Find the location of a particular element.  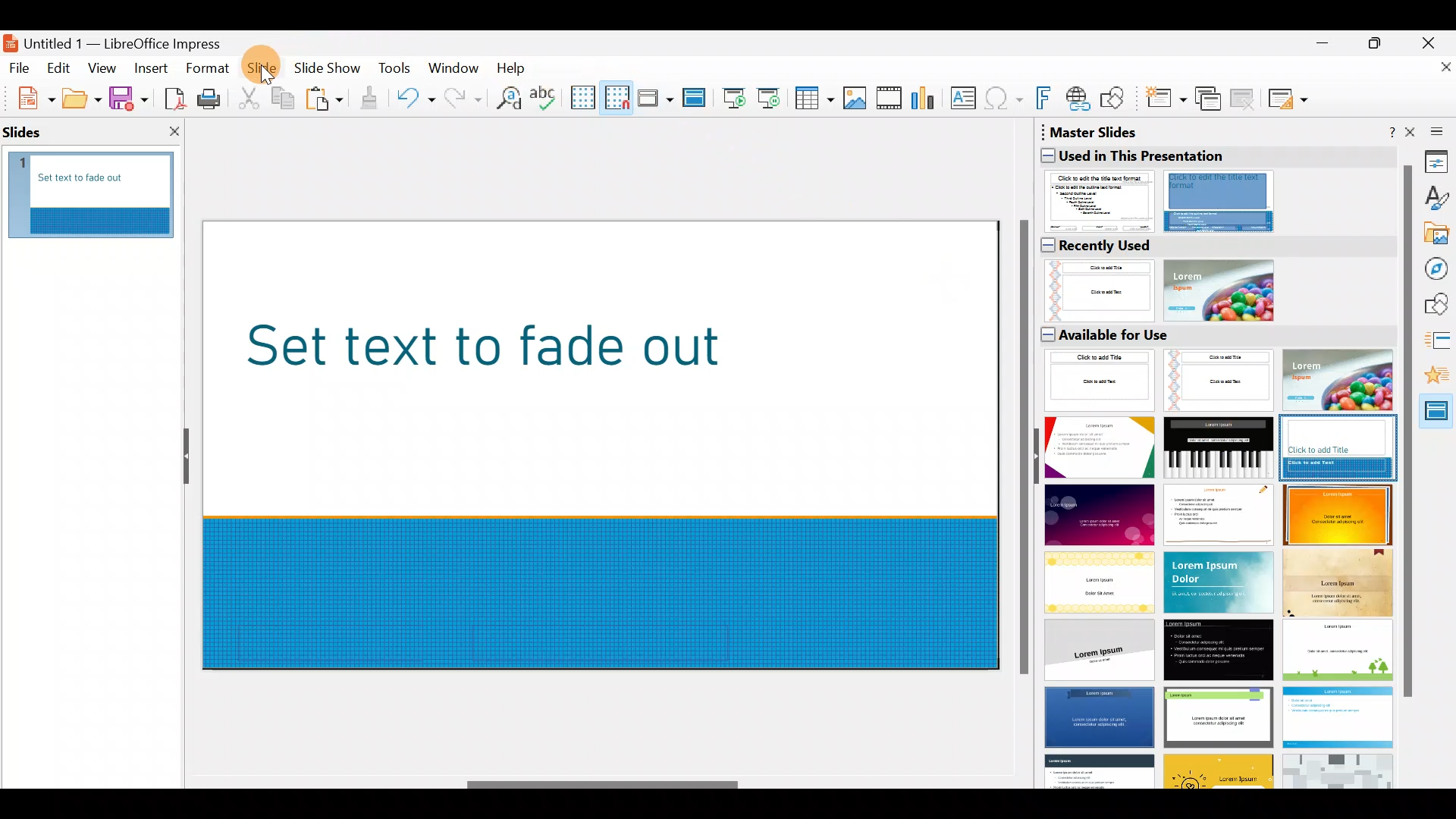

Table is located at coordinates (815, 99).